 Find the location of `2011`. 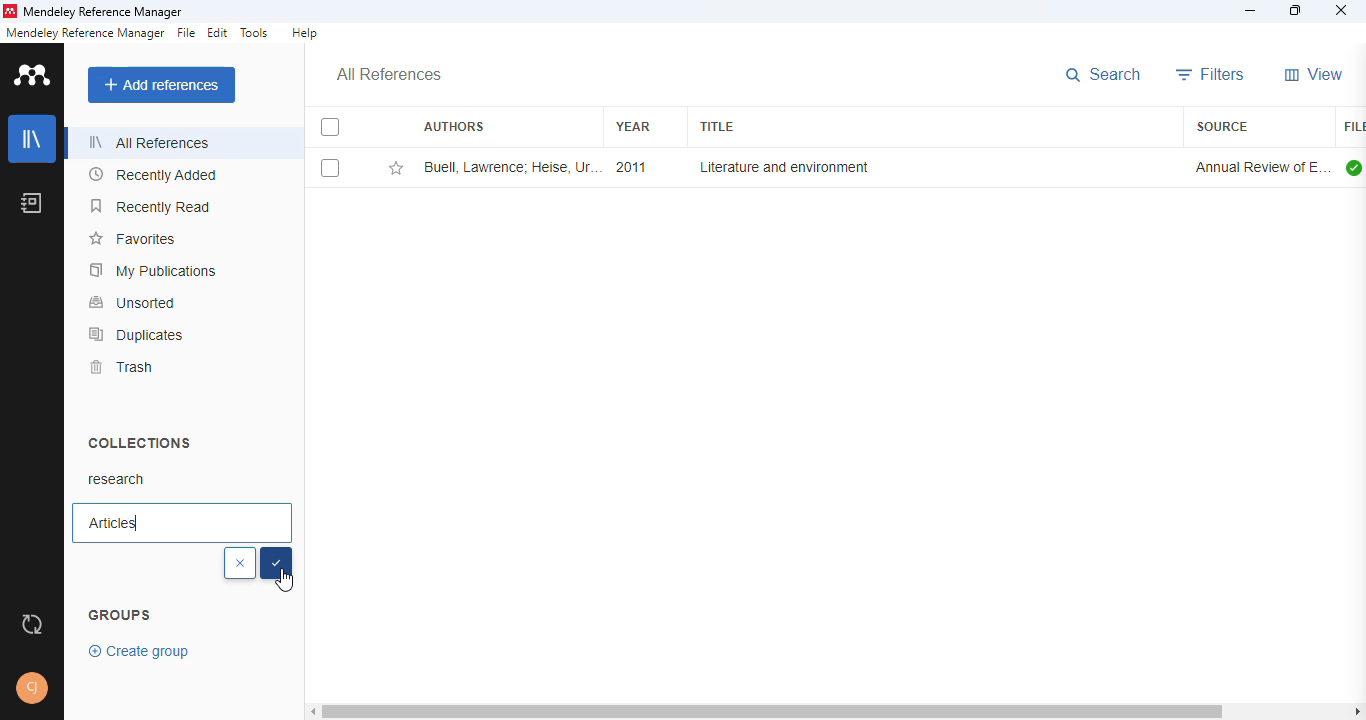

2011 is located at coordinates (630, 167).